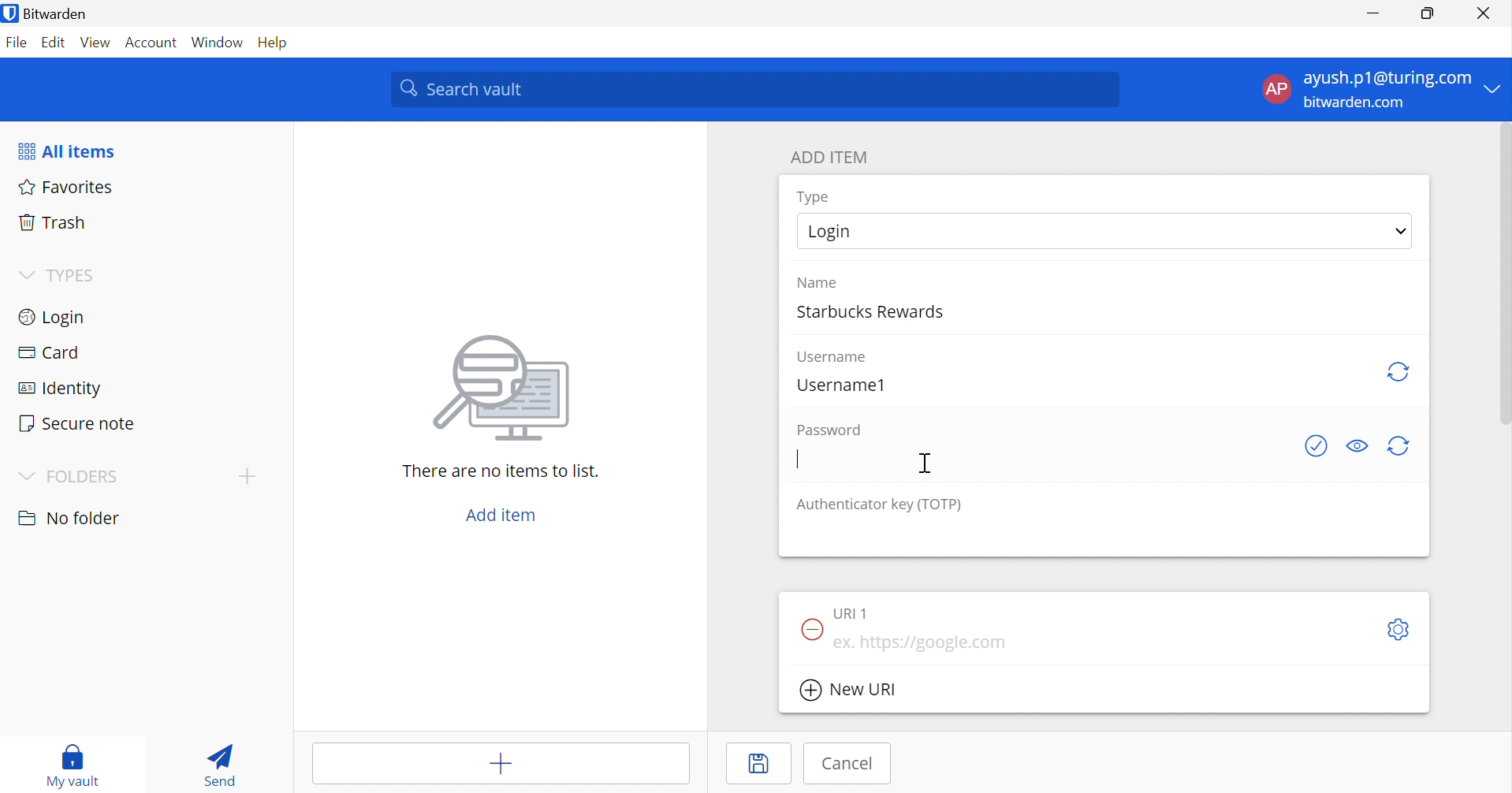 The image size is (1512, 793). I want to click on Minimize, so click(1375, 9).